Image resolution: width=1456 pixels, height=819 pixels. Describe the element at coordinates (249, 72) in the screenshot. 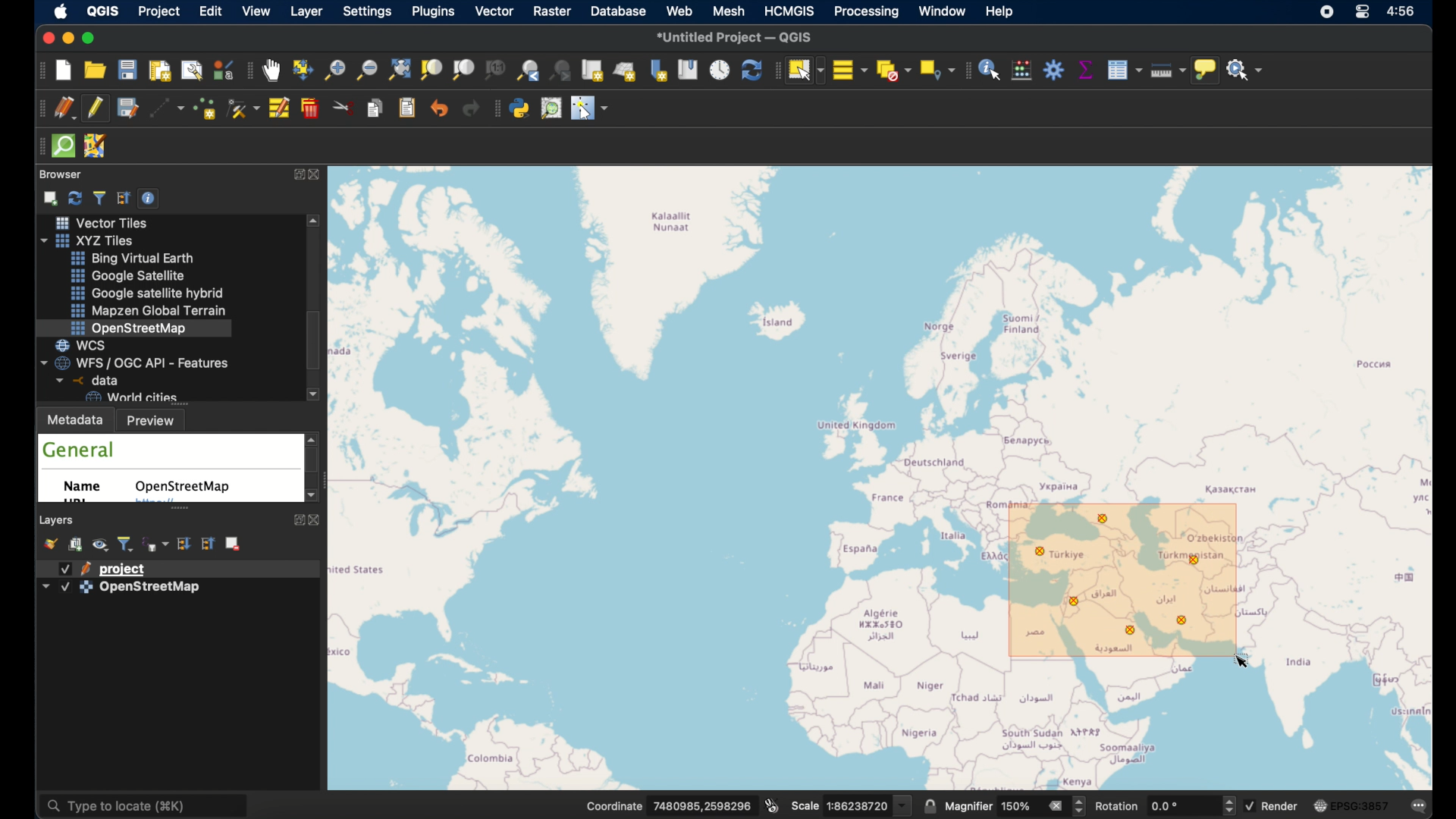

I see `map navigation toolbar` at that location.